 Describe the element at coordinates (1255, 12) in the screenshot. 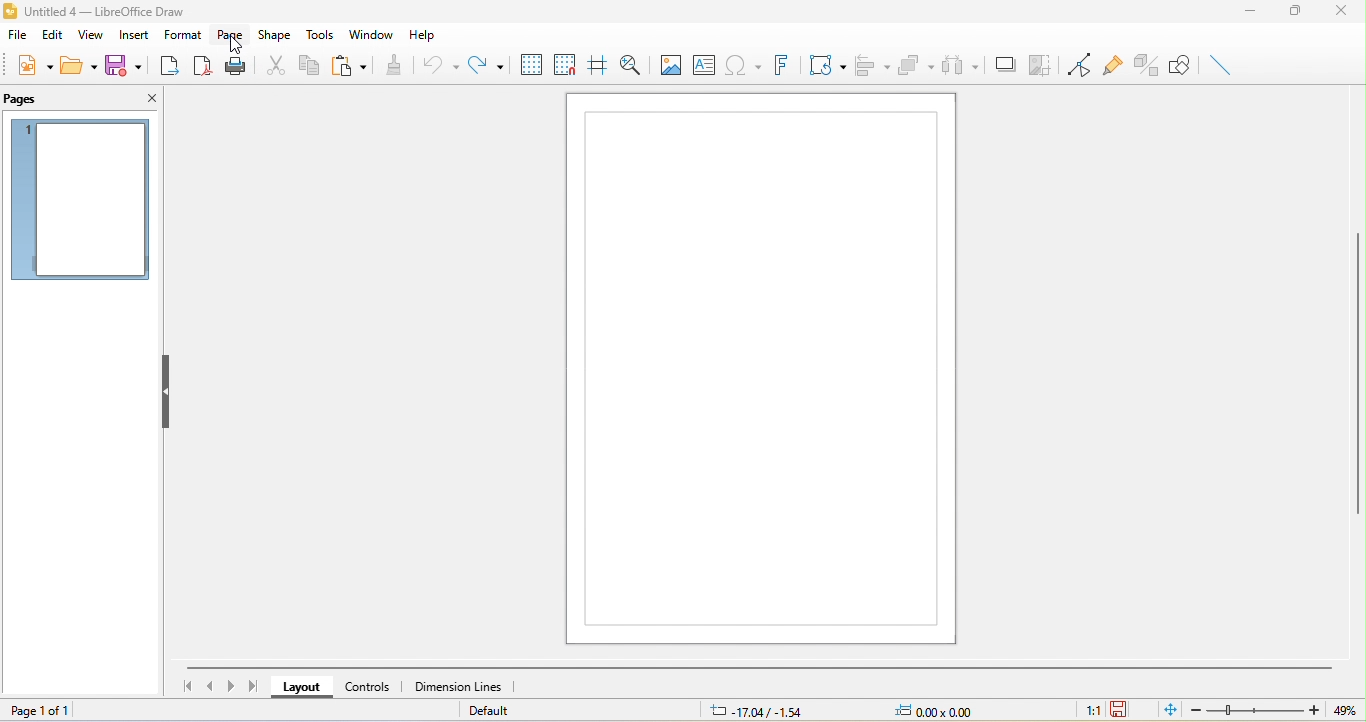

I see `minimize` at that location.